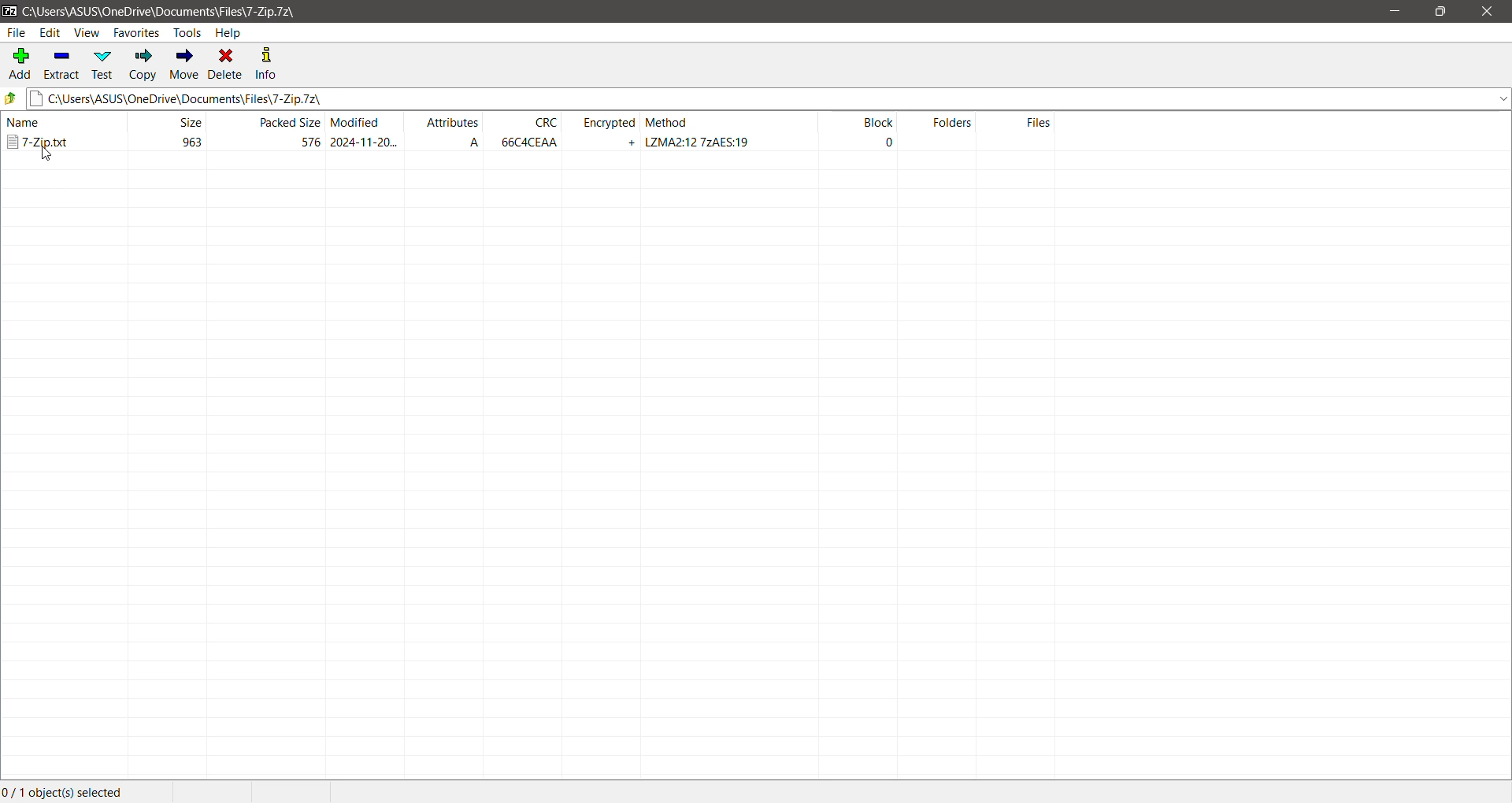 The width and height of the screenshot is (1512, 803). What do you see at coordinates (729, 133) in the screenshot?
I see `Encryption Method` at bounding box center [729, 133].